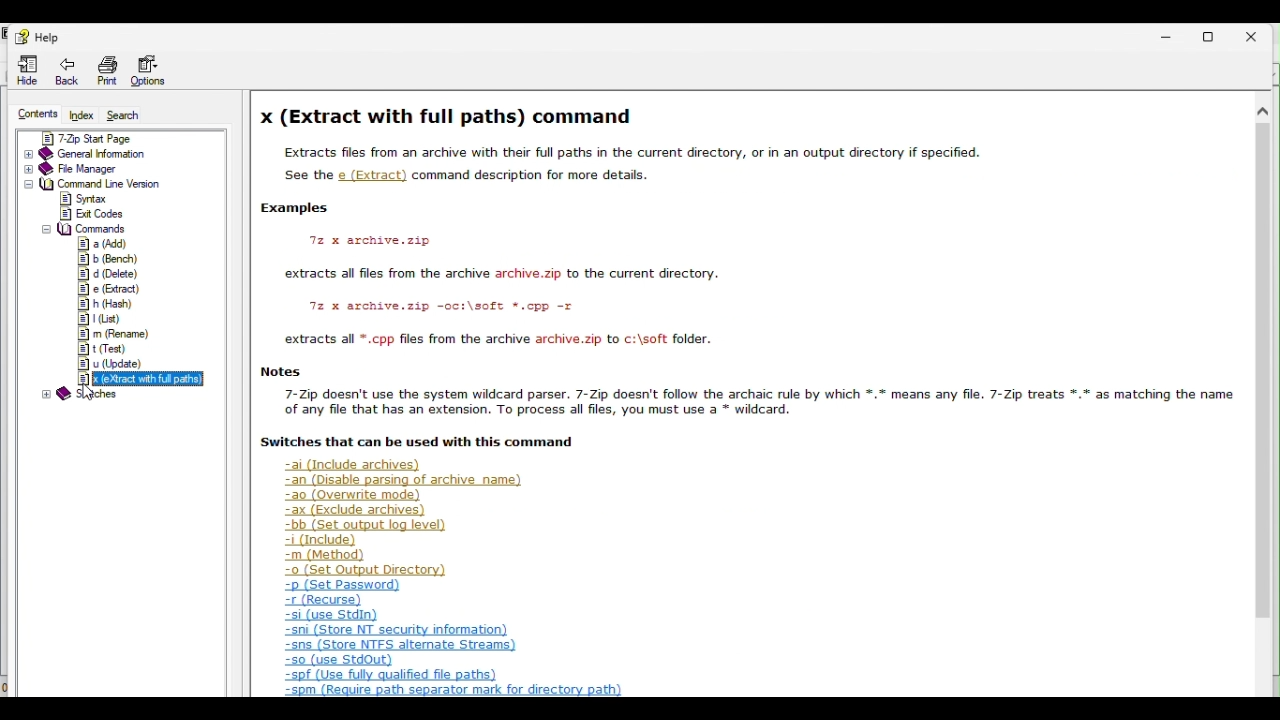  What do you see at coordinates (110, 259) in the screenshot?
I see `b (Bench)` at bounding box center [110, 259].